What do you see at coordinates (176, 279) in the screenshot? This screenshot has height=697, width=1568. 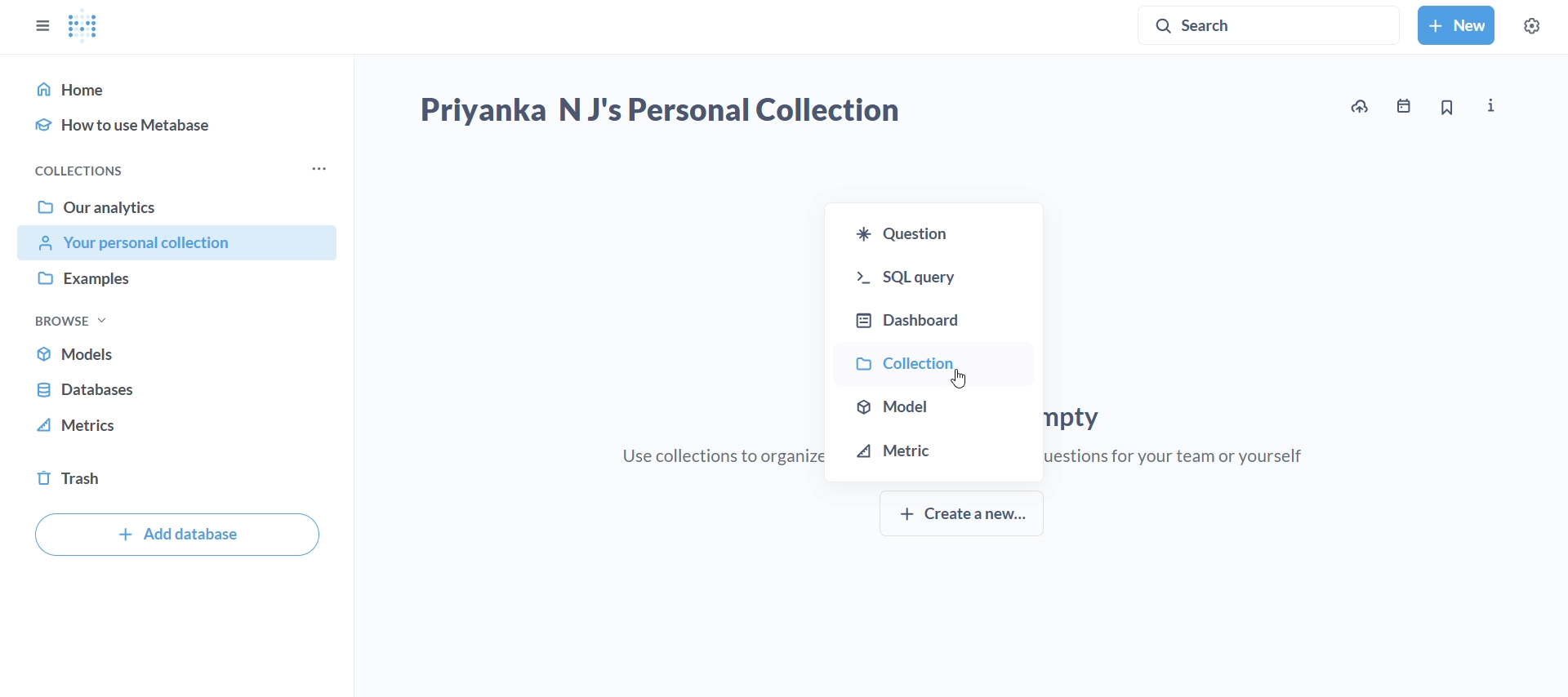 I see `examples` at bounding box center [176, 279].